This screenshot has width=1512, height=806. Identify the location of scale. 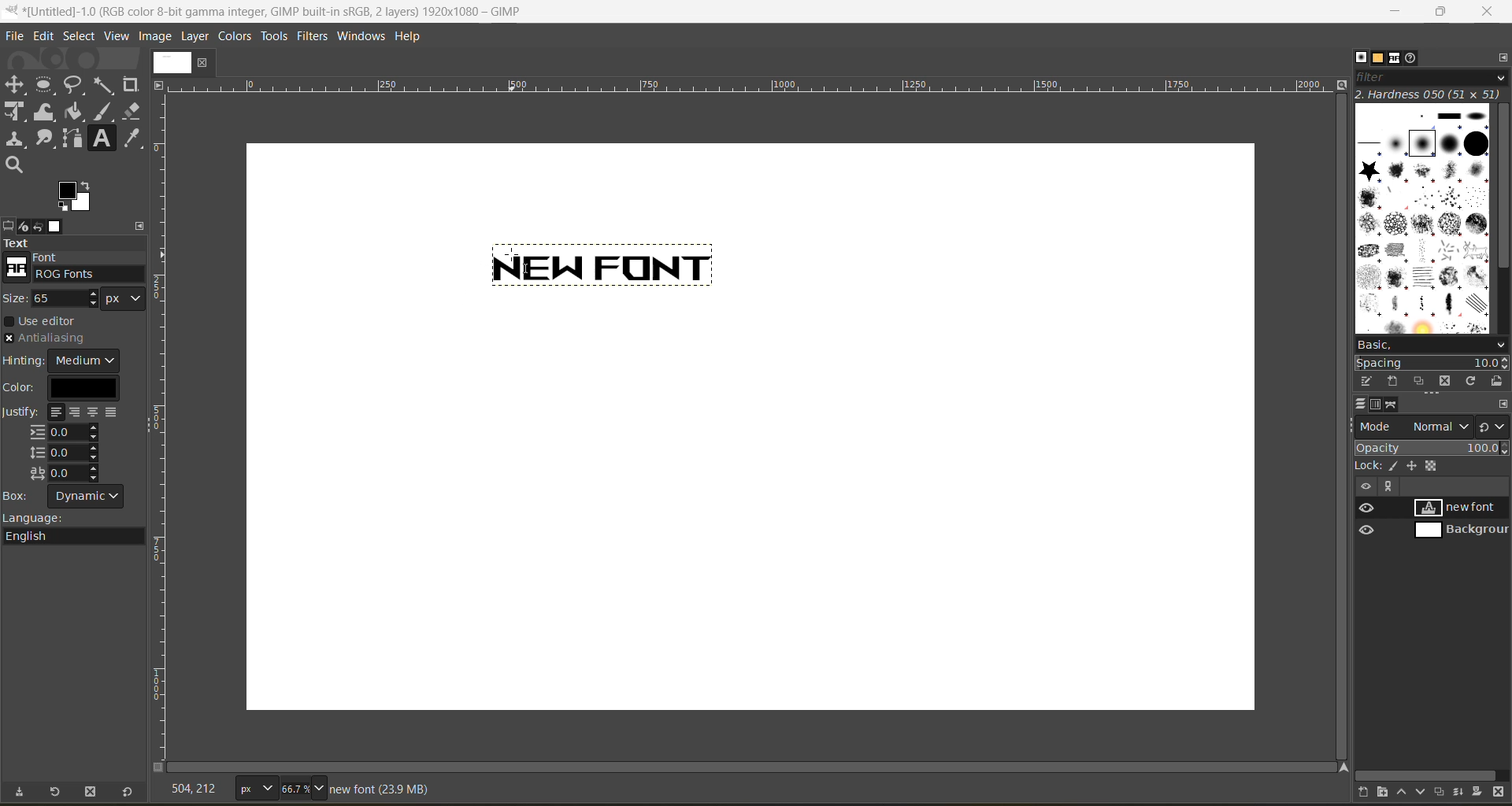
(163, 380).